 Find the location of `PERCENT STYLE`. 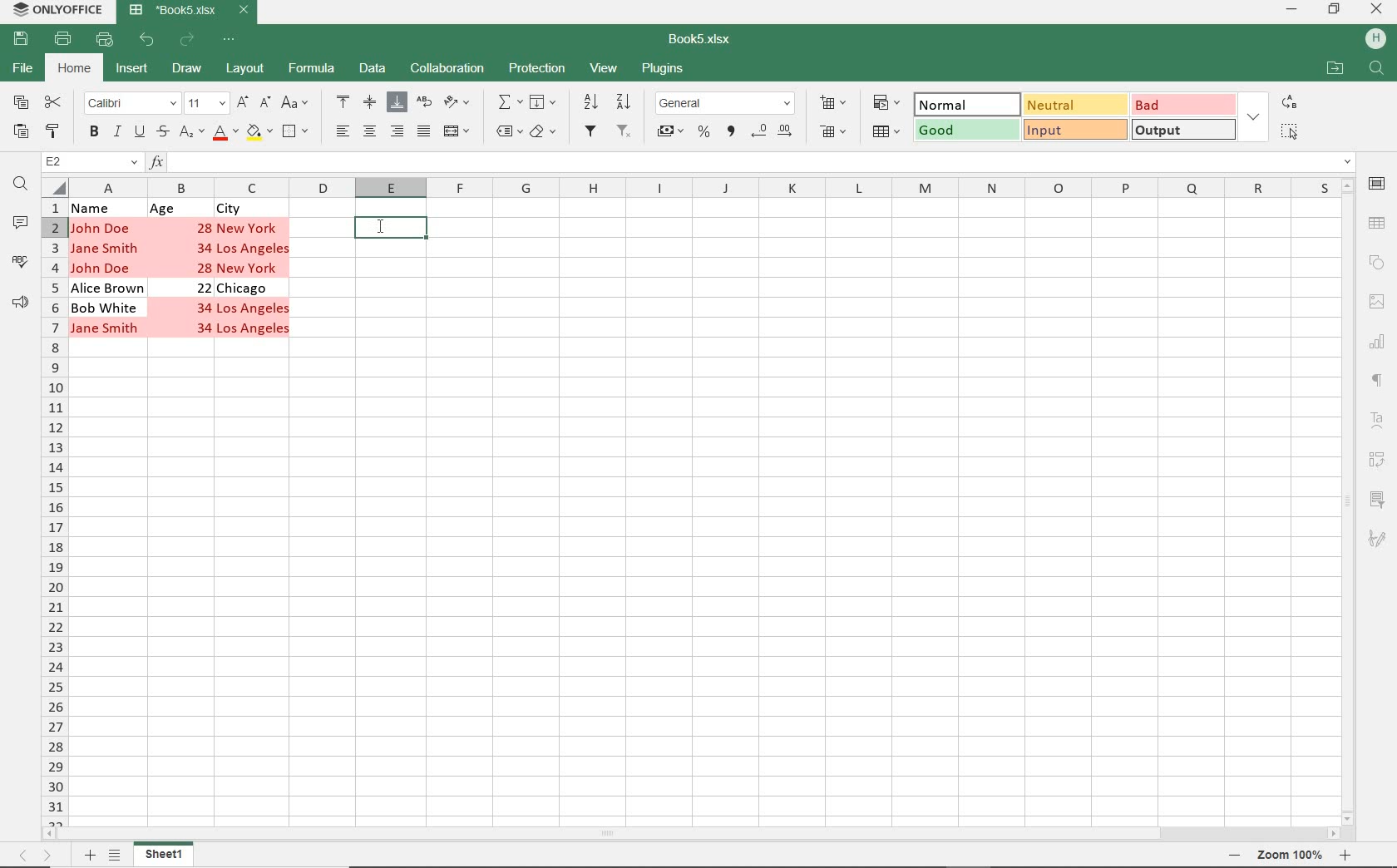

PERCENT STYLE is located at coordinates (705, 134).